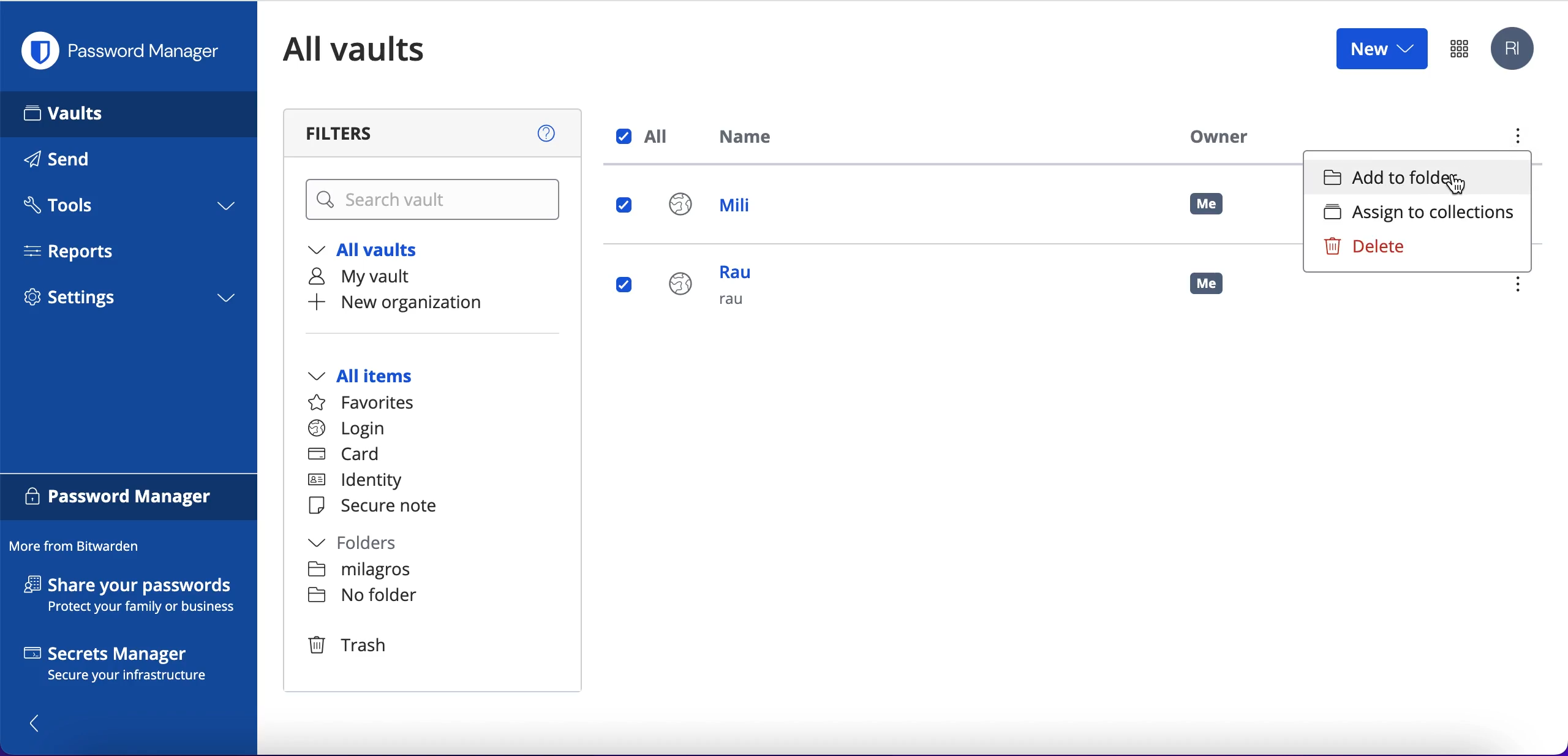 This screenshot has height=756, width=1568. Describe the element at coordinates (717, 293) in the screenshot. I see `rau rau` at that location.